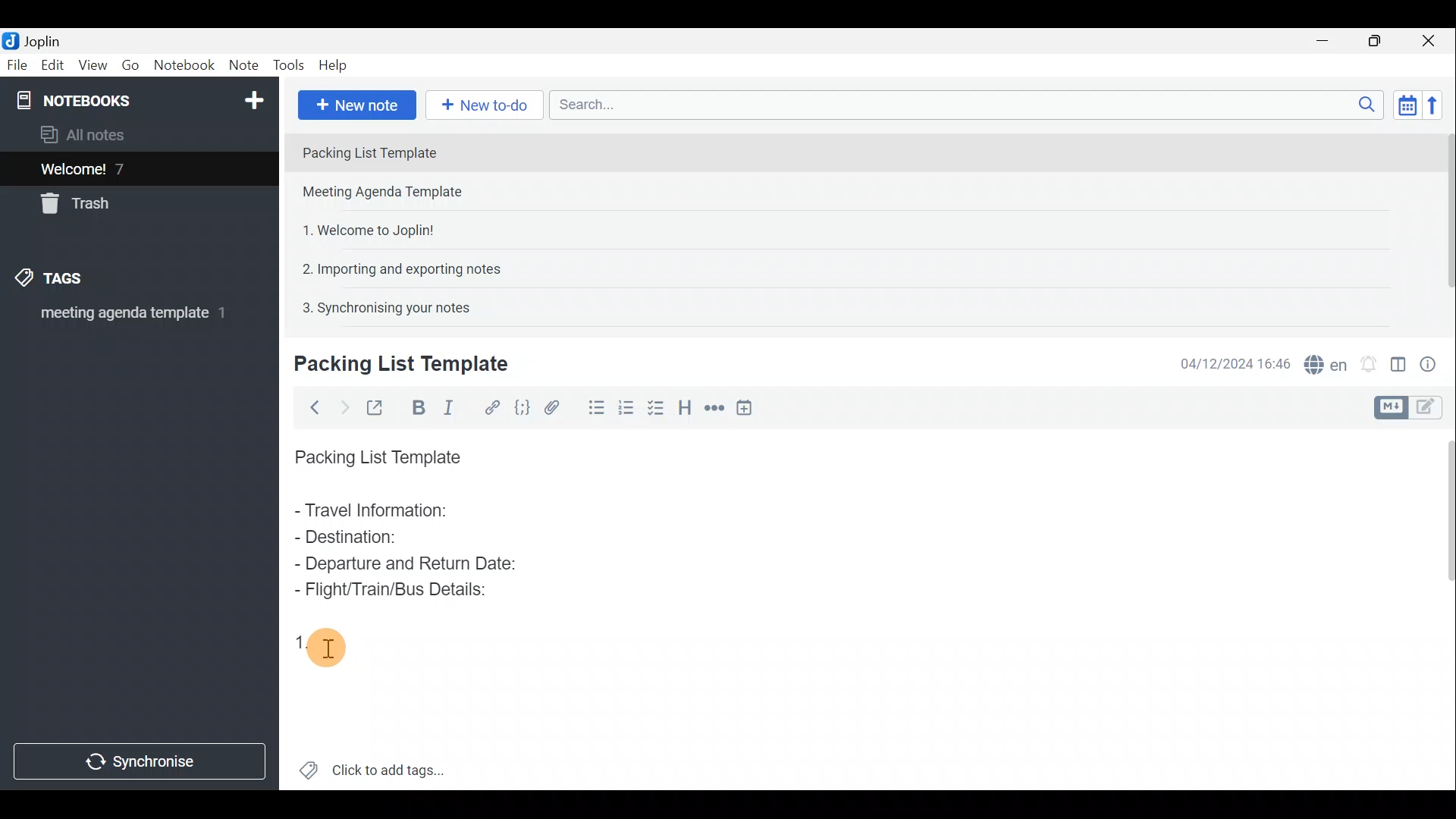 The height and width of the screenshot is (819, 1456). I want to click on Trash, so click(81, 206).